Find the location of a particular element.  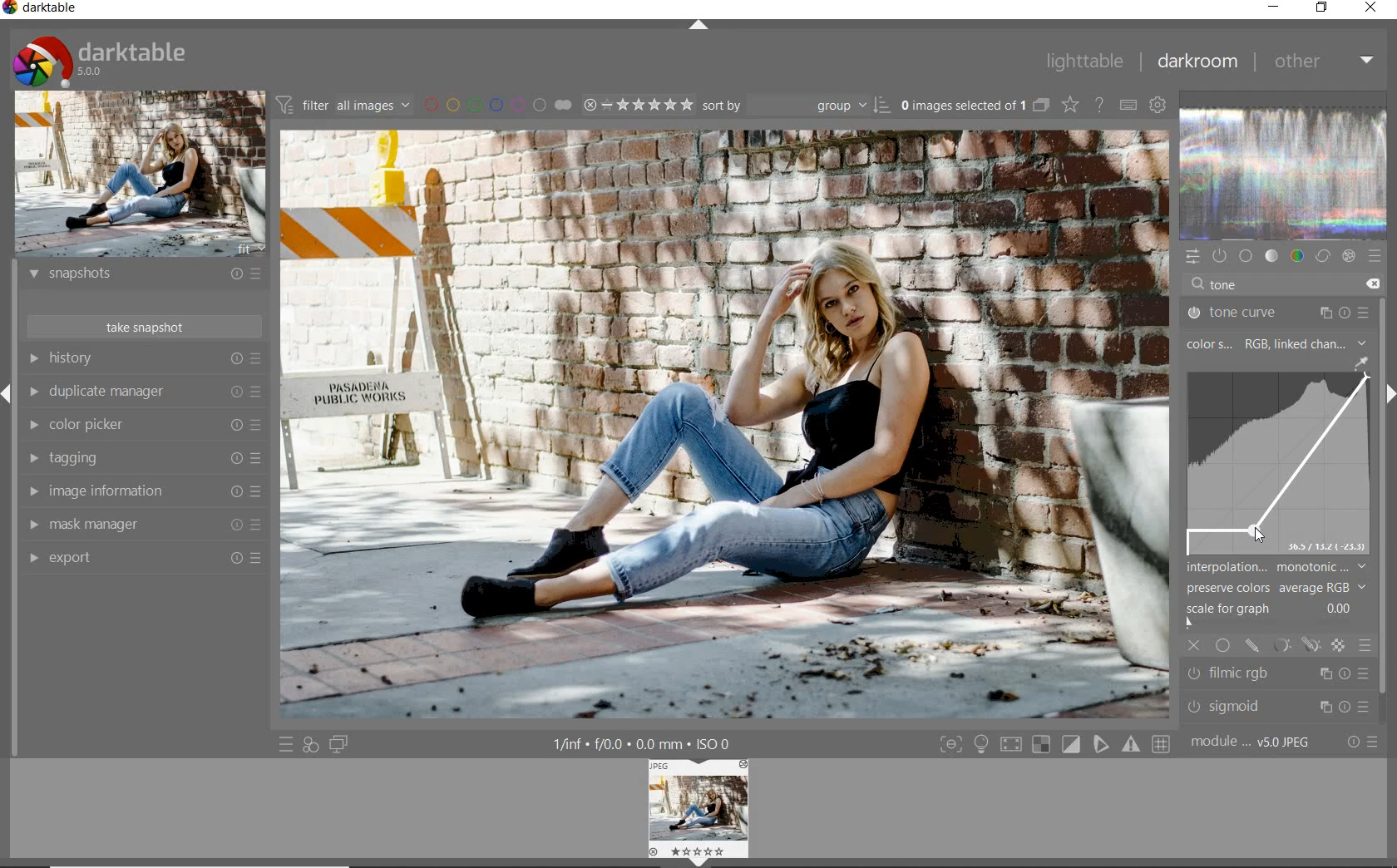

expand/collapse is located at coordinates (698, 27).